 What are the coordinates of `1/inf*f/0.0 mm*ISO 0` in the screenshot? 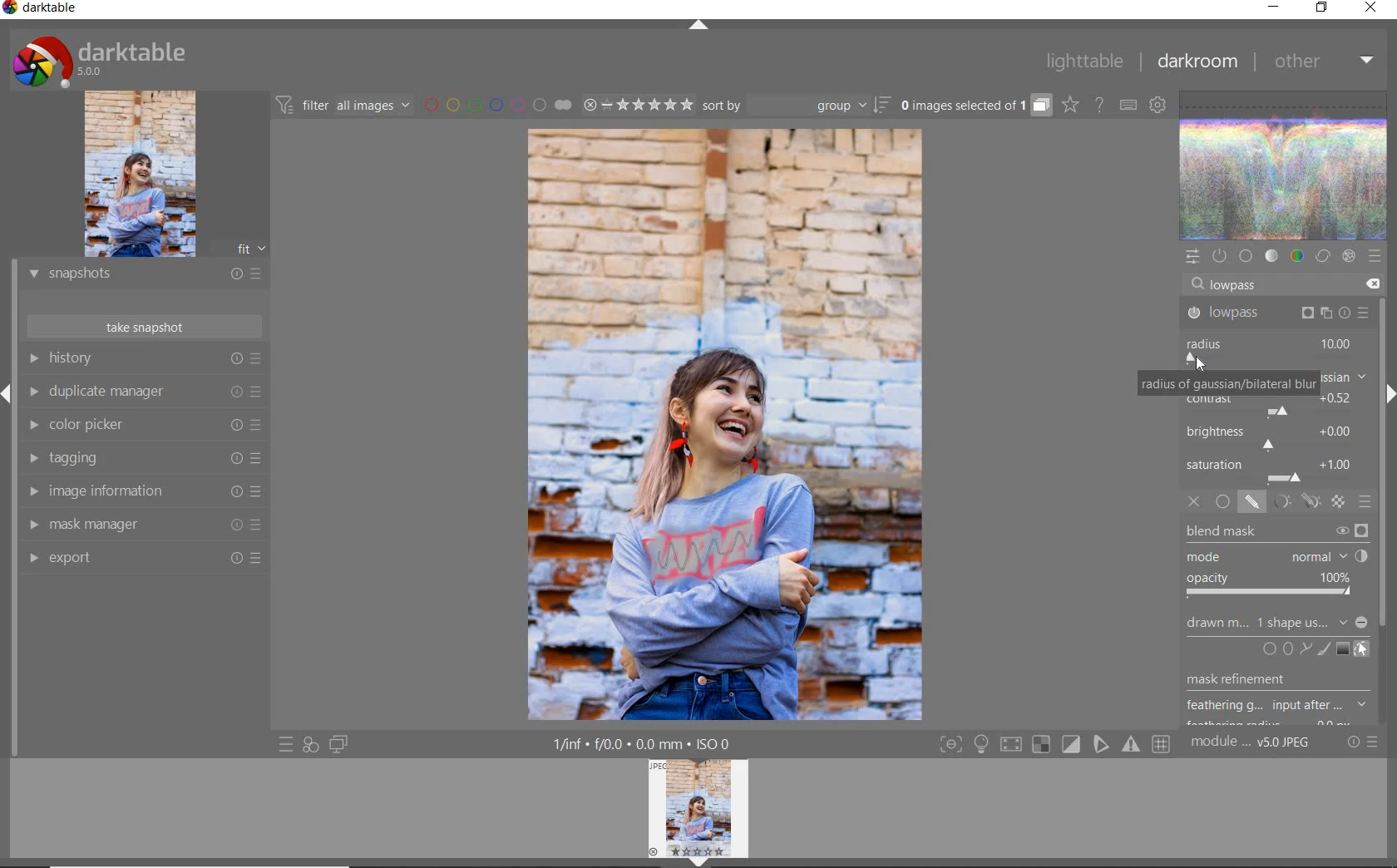 It's located at (646, 744).